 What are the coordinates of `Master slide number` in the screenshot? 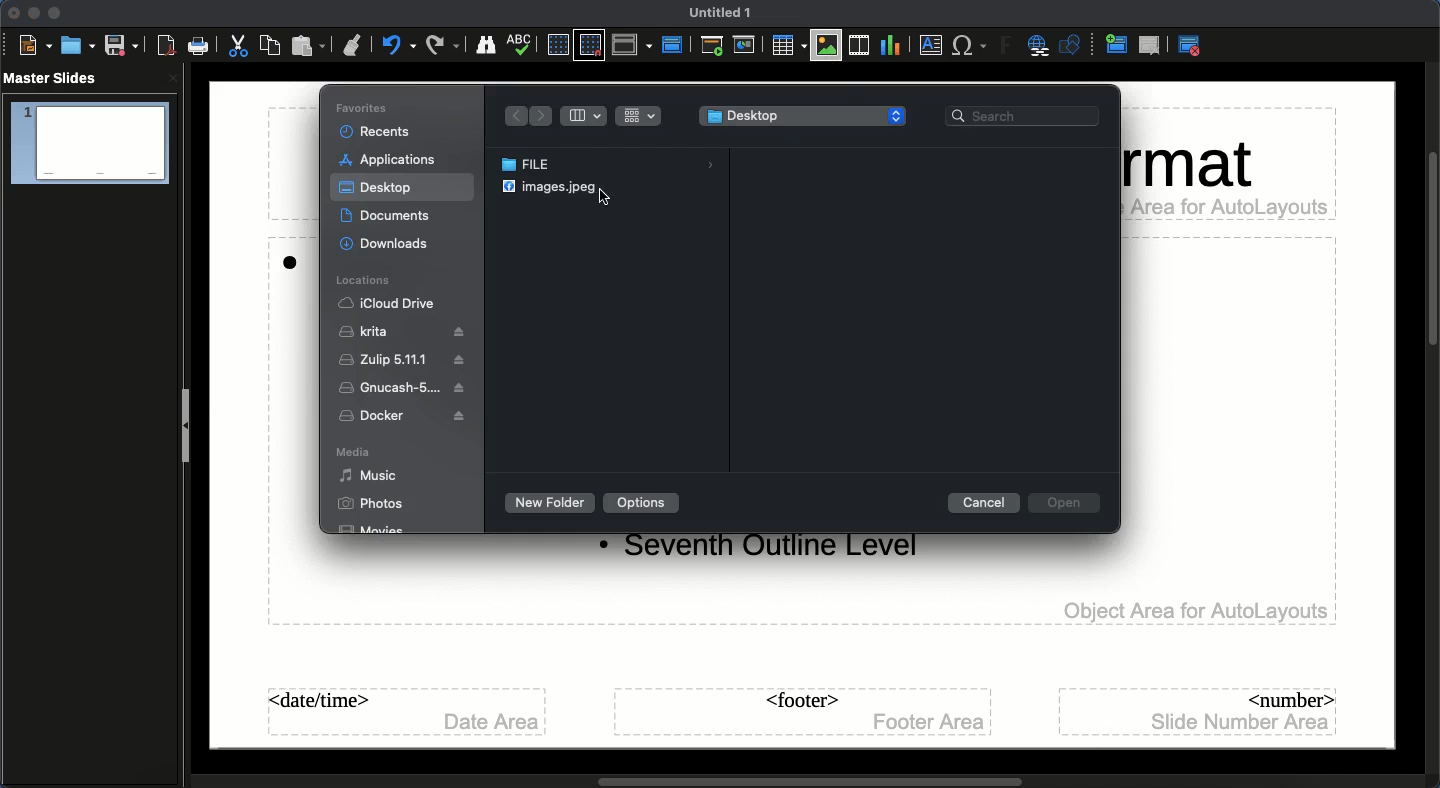 It's located at (1201, 712).